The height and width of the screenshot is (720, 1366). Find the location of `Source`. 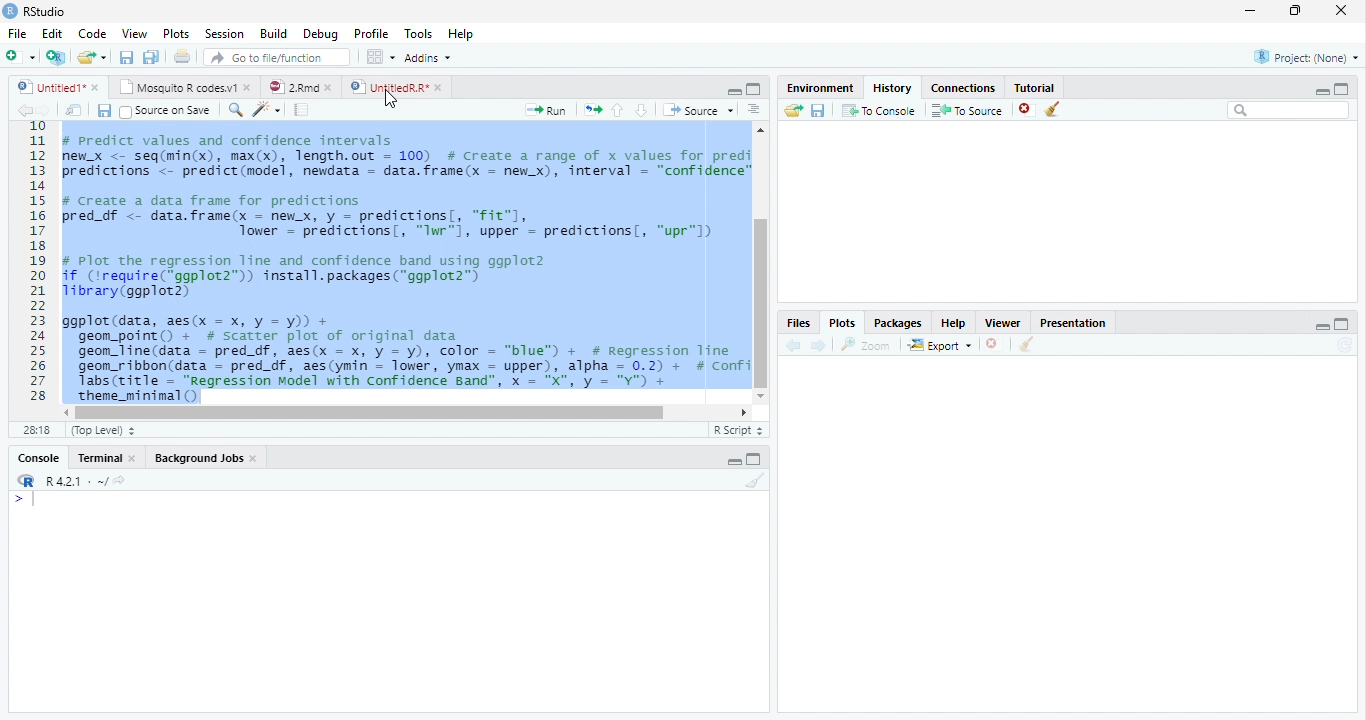

Source is located at coordinates (699, 111).